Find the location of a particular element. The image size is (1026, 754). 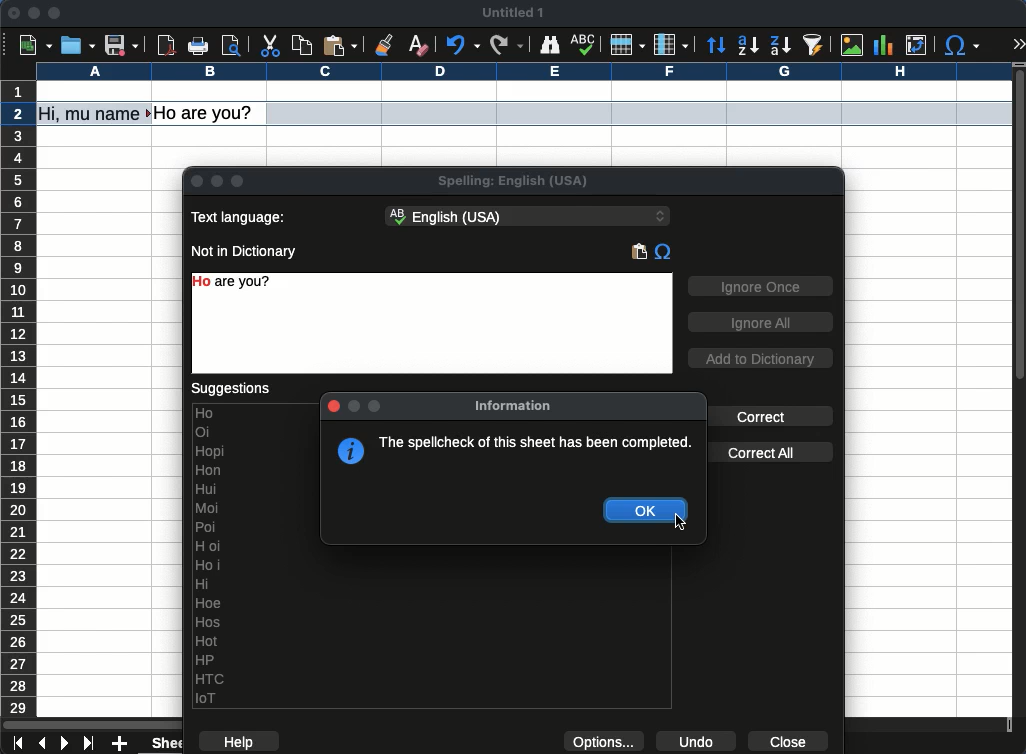

image is located at coordinates (855, 46).